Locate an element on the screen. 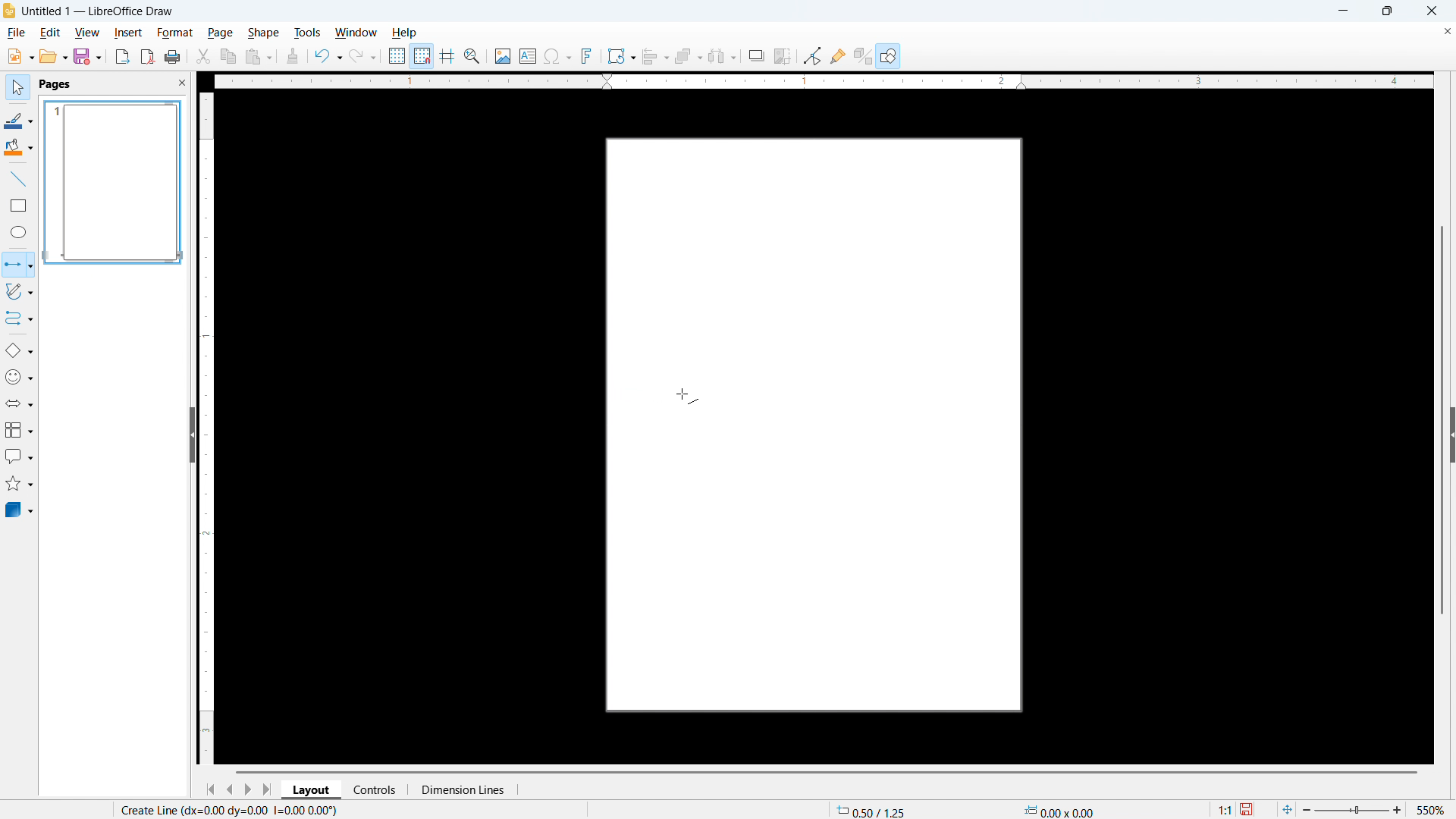  Close document  is located at coordinates (1446, 31).